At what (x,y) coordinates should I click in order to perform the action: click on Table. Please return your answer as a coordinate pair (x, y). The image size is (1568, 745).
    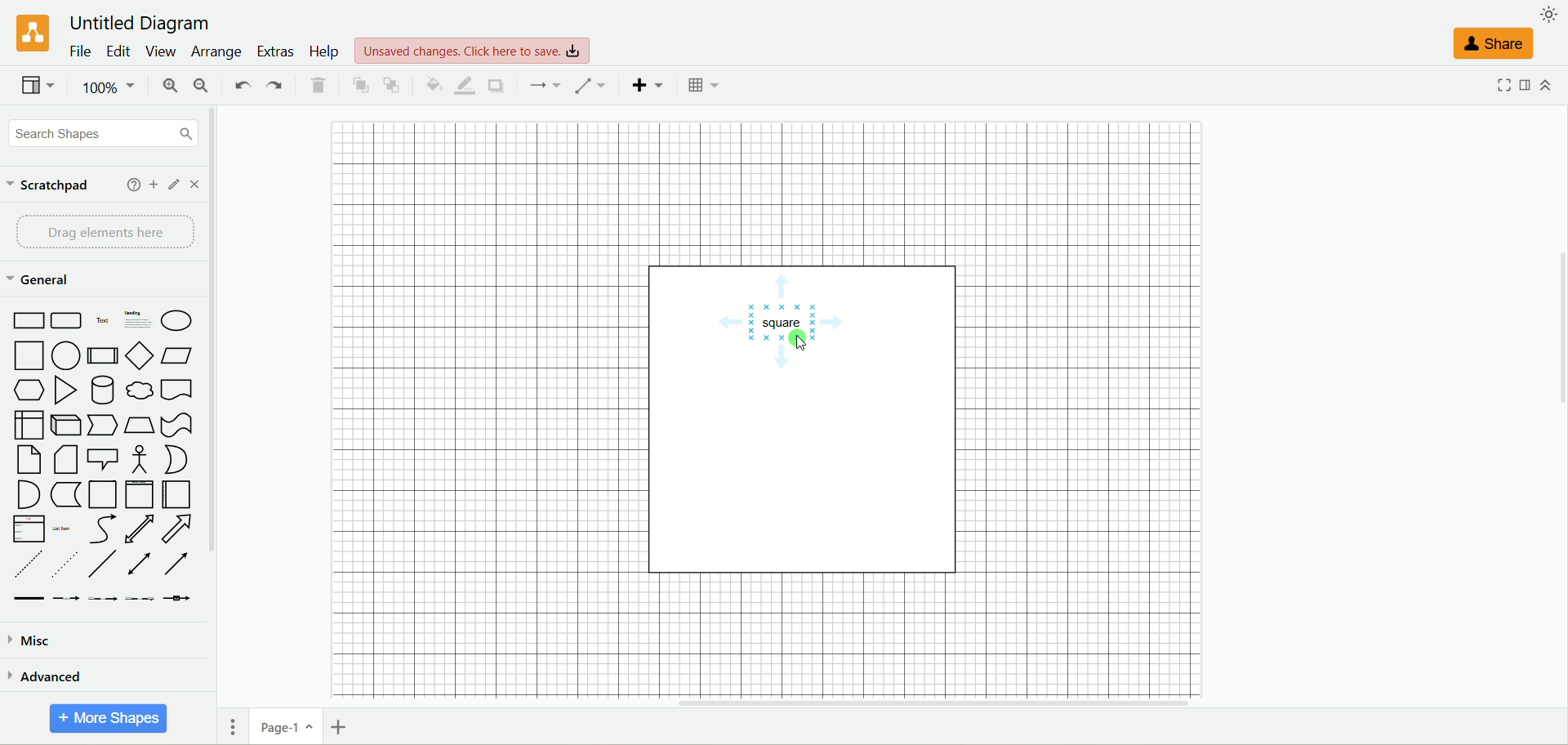
    Looking at the image, I should click on (703, 85).